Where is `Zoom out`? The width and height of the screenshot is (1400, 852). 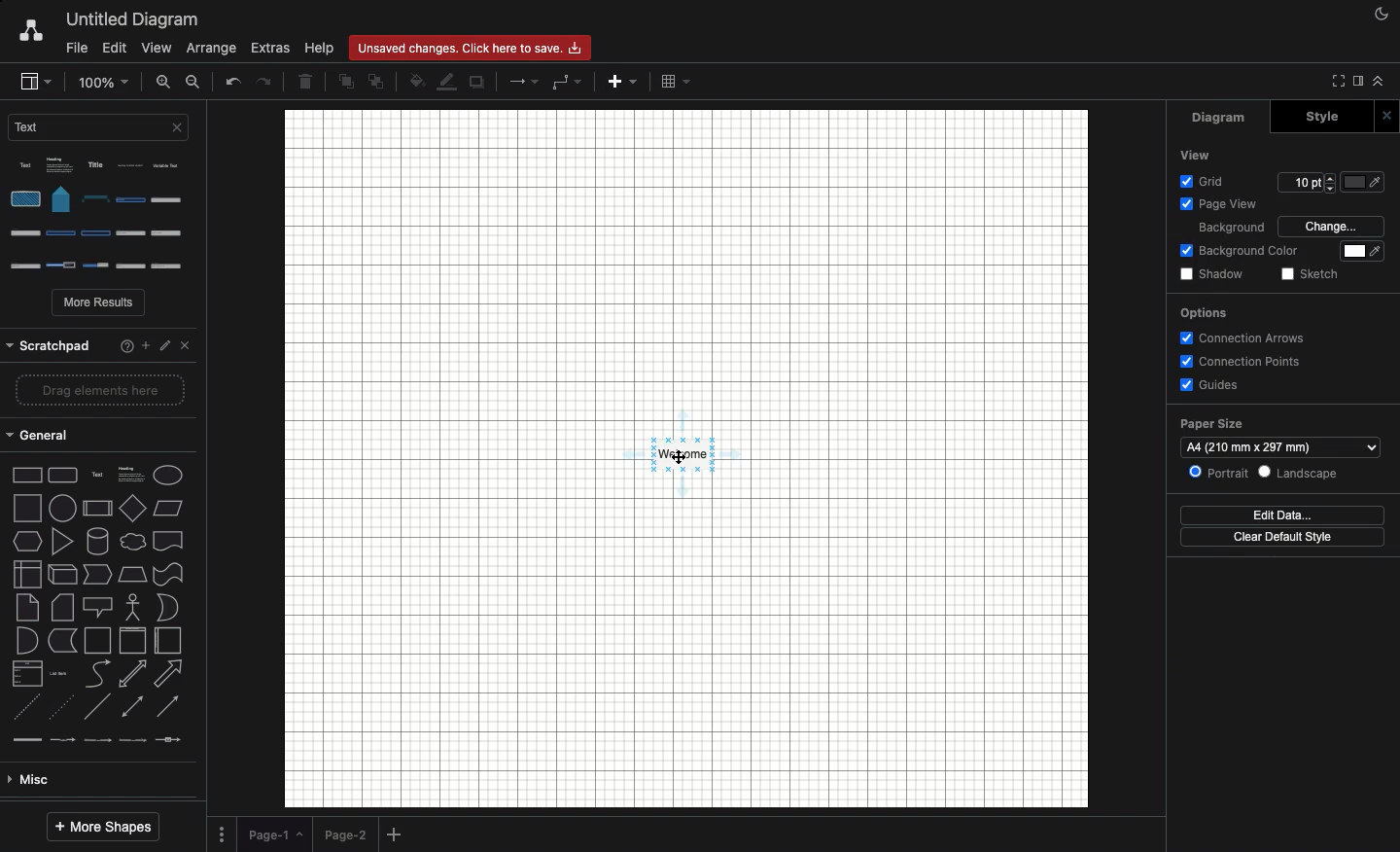
Zoom out is located at coordinates (202, 82).